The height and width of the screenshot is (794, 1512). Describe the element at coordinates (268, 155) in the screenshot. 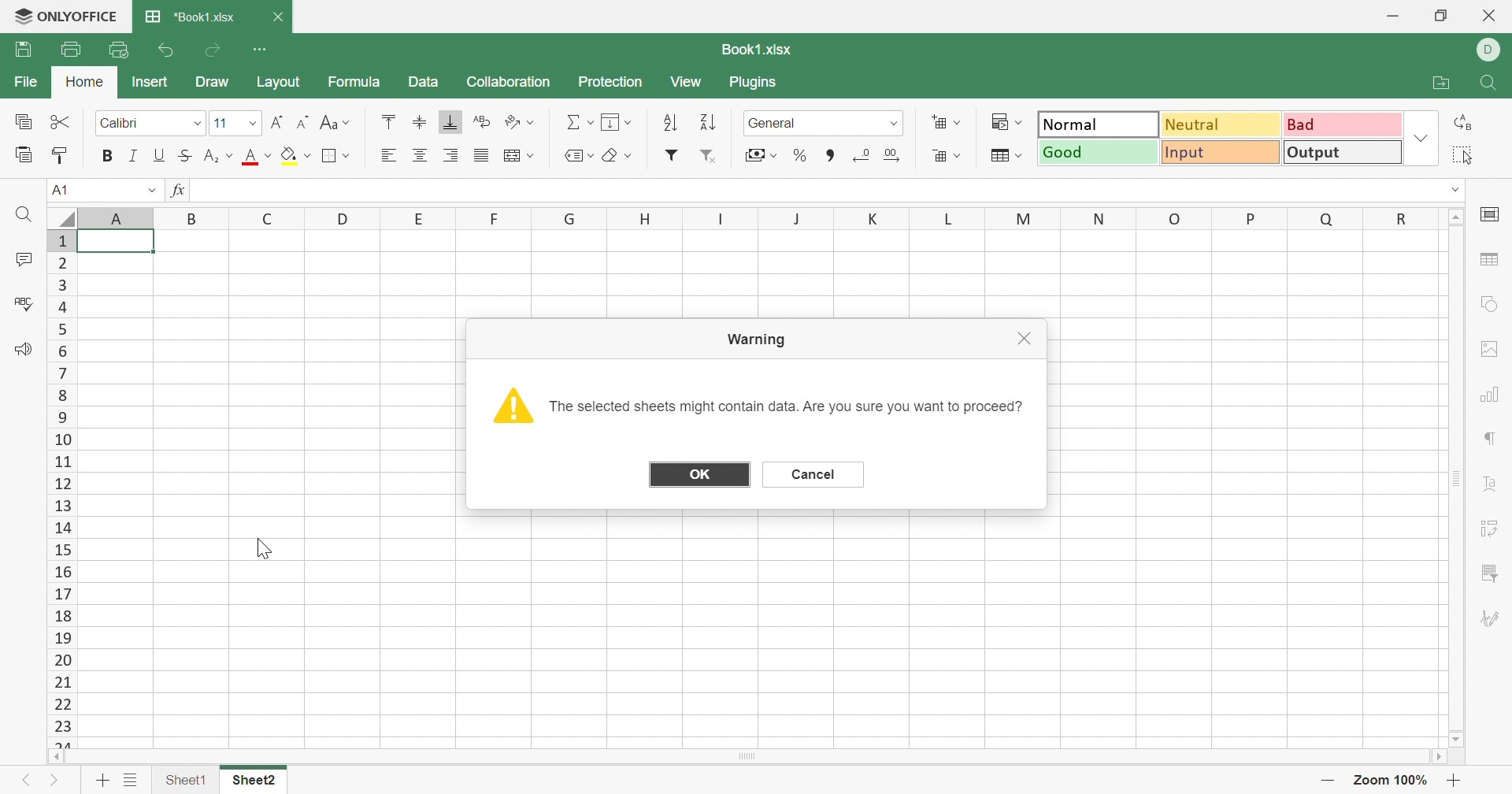

I see `Drop Down` at that location.